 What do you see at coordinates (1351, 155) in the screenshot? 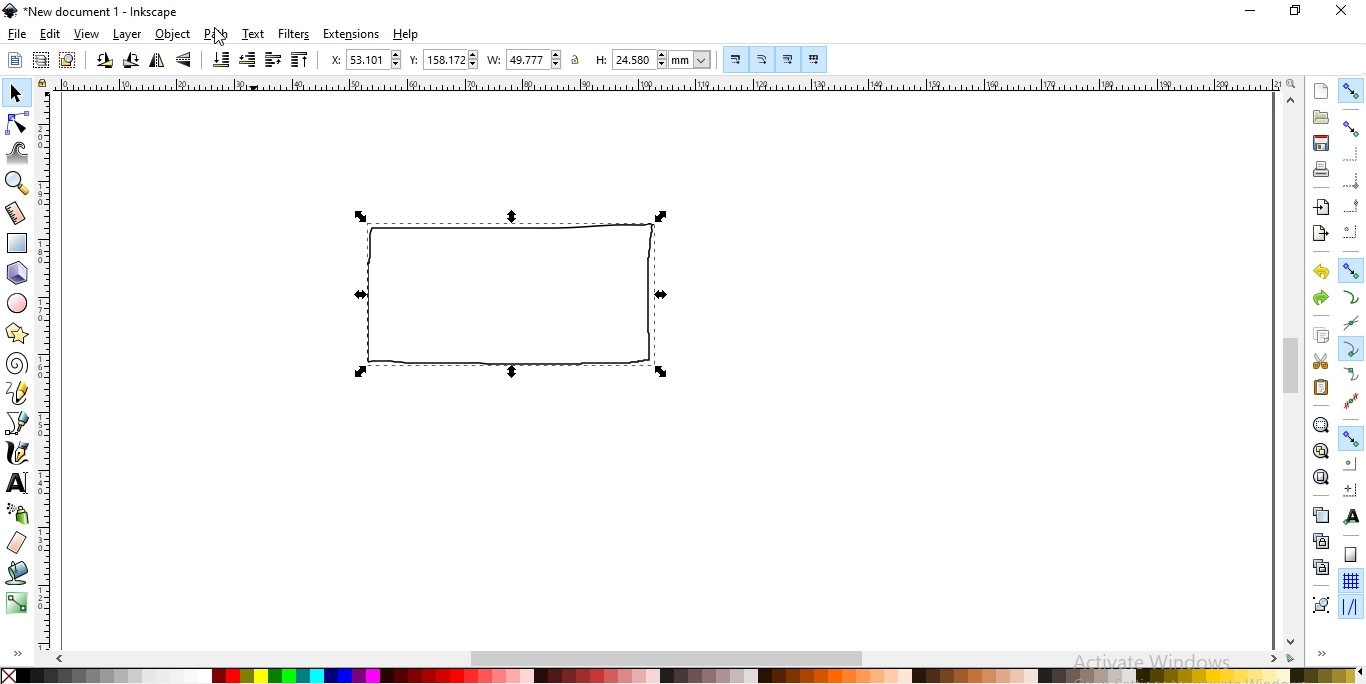
I see `snap to edges of bounding box` at bounding box center [1351, 155].